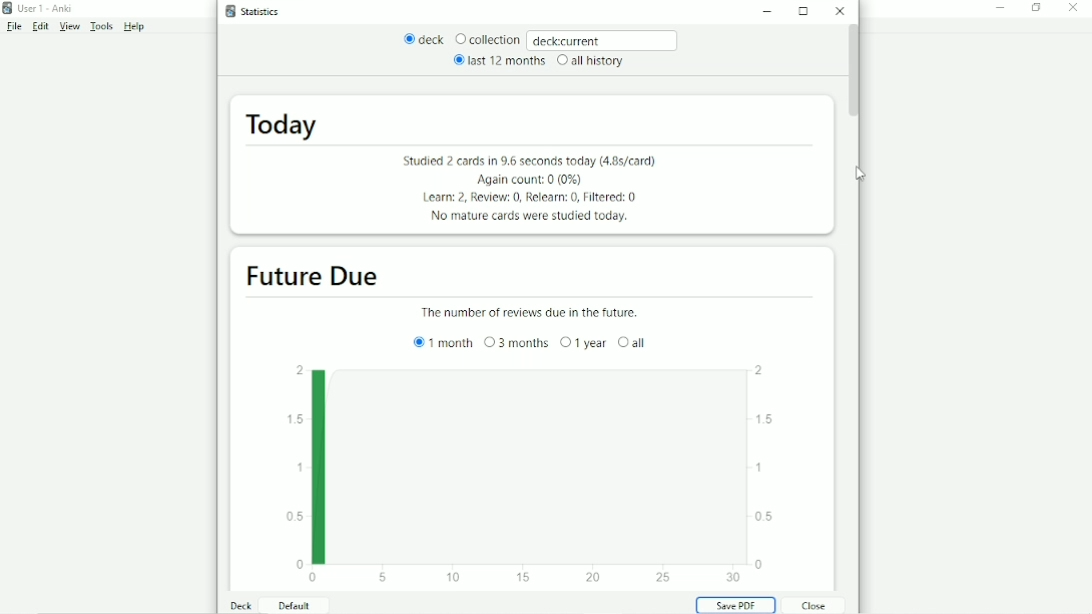 The width and height of the screenshot is (1092, 614). What do you see at coordinates (583, 343) in the screenshot?
I see `1 year` at bounding box center [583, 343].